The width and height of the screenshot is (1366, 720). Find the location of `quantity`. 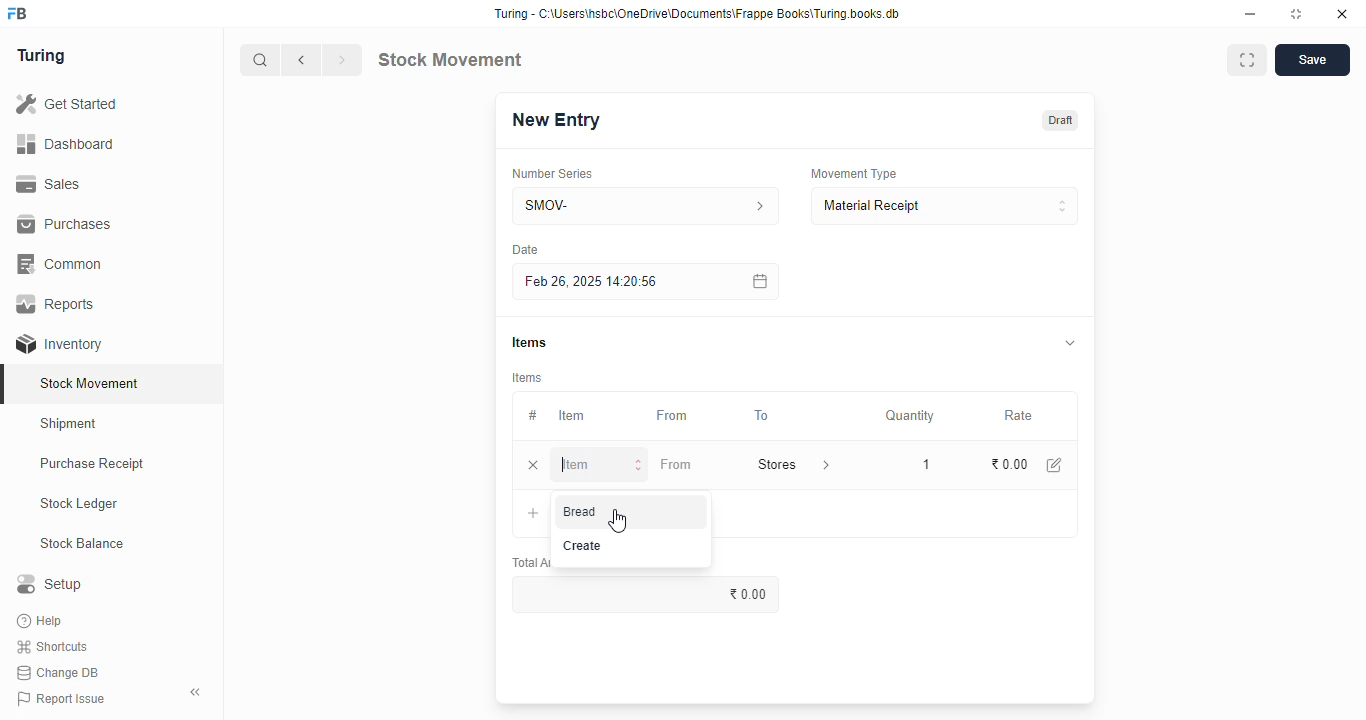

quantity is located at coordinates (910, 416).